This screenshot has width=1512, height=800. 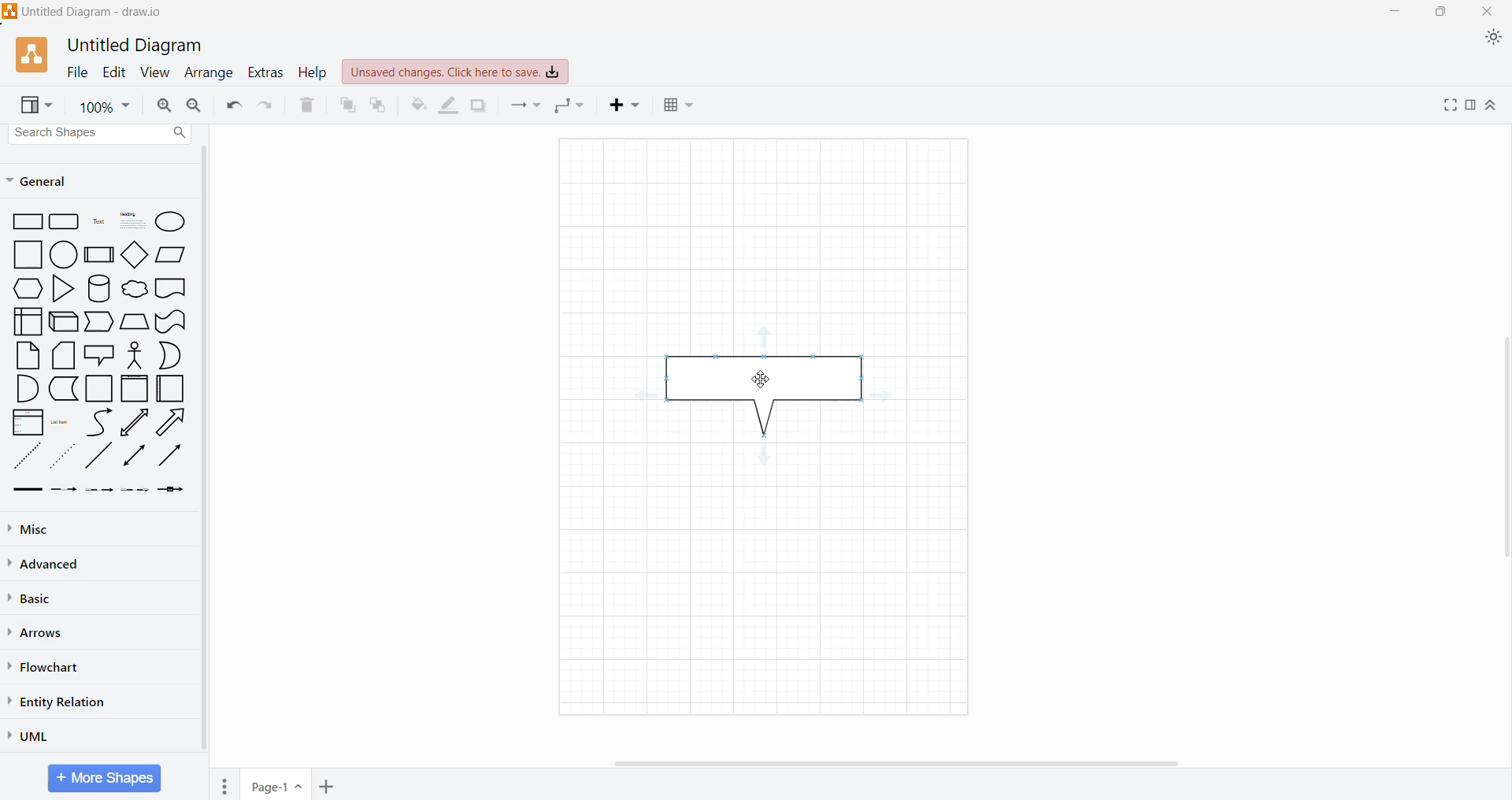 I want to click on frame, so click(x=135, y=388).